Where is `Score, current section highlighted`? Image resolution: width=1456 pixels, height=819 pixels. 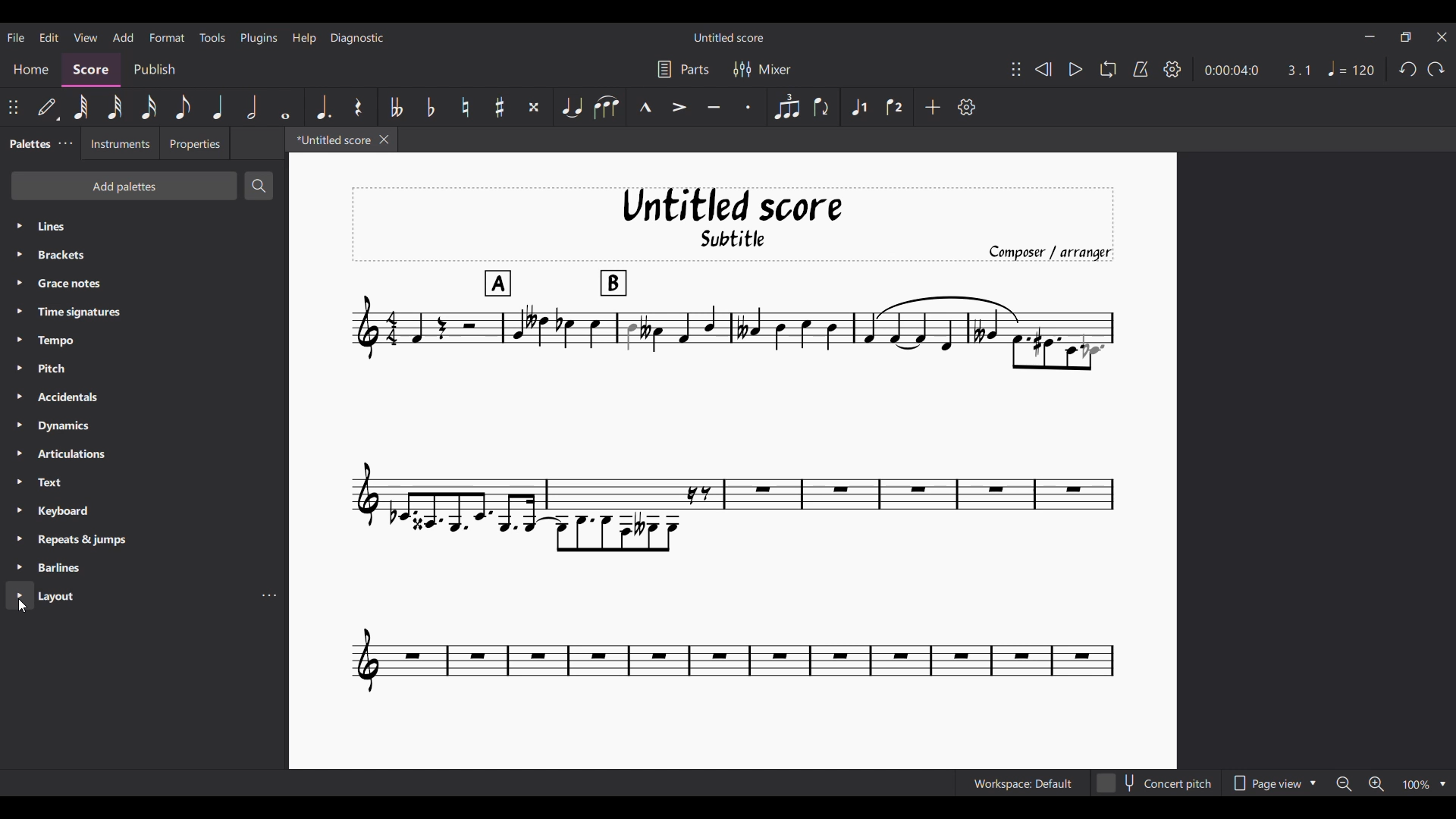
Score, current section highlighted is located at coordinates (91, 70).